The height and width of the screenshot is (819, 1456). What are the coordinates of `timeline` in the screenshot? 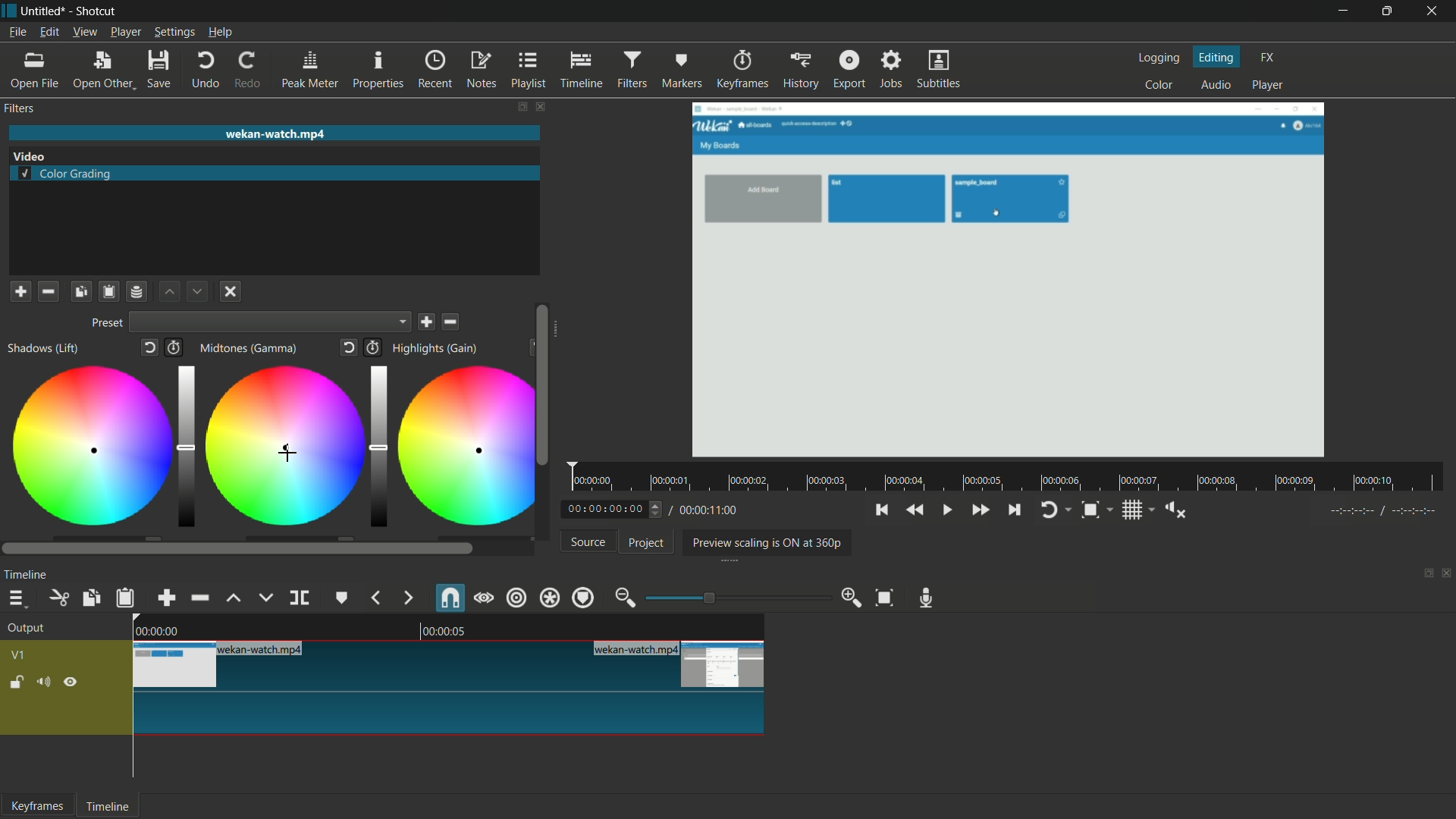 It's located at (26, 576).